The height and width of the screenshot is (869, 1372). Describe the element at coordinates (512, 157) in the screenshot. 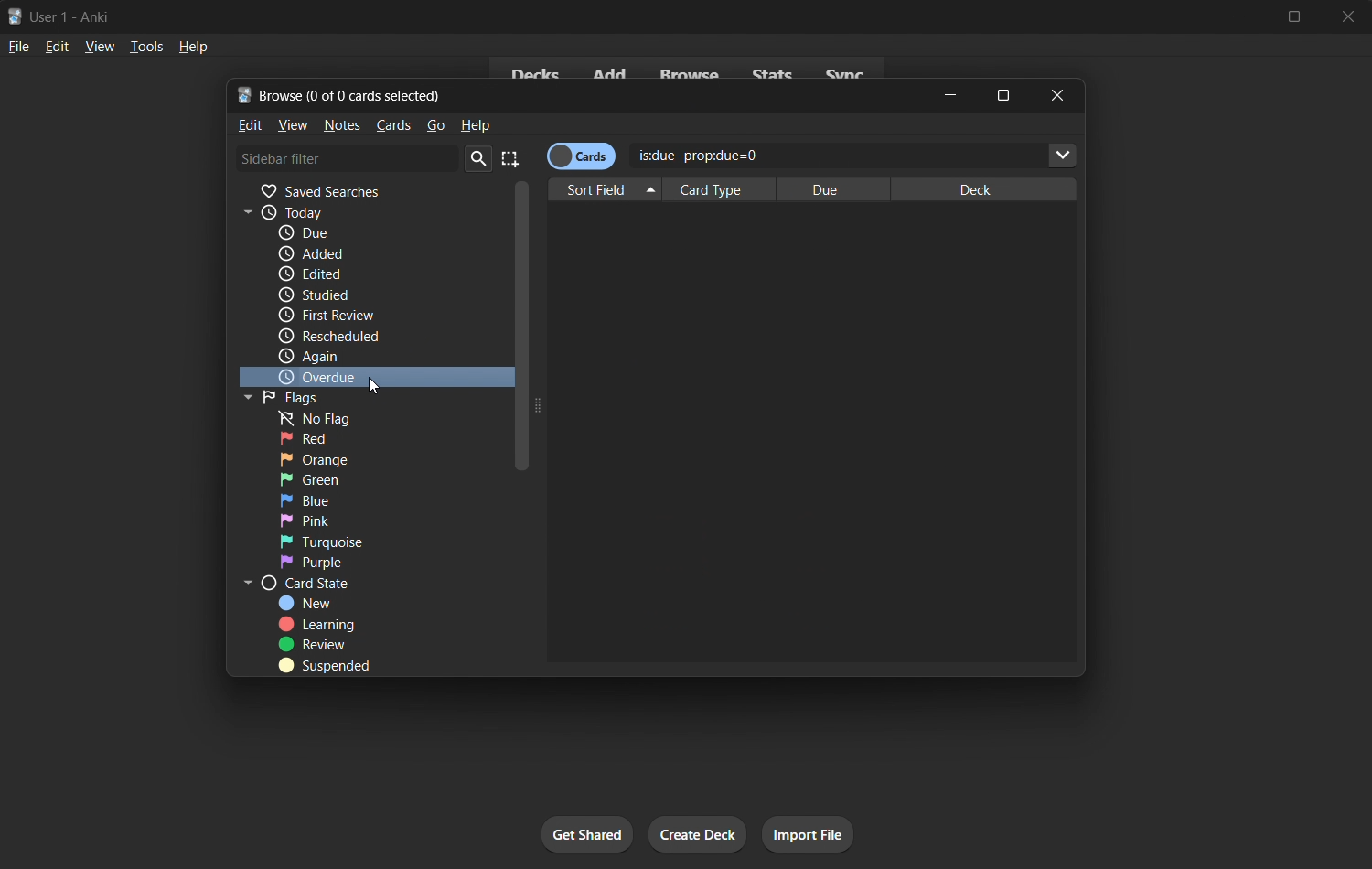

I see `select` at that location.